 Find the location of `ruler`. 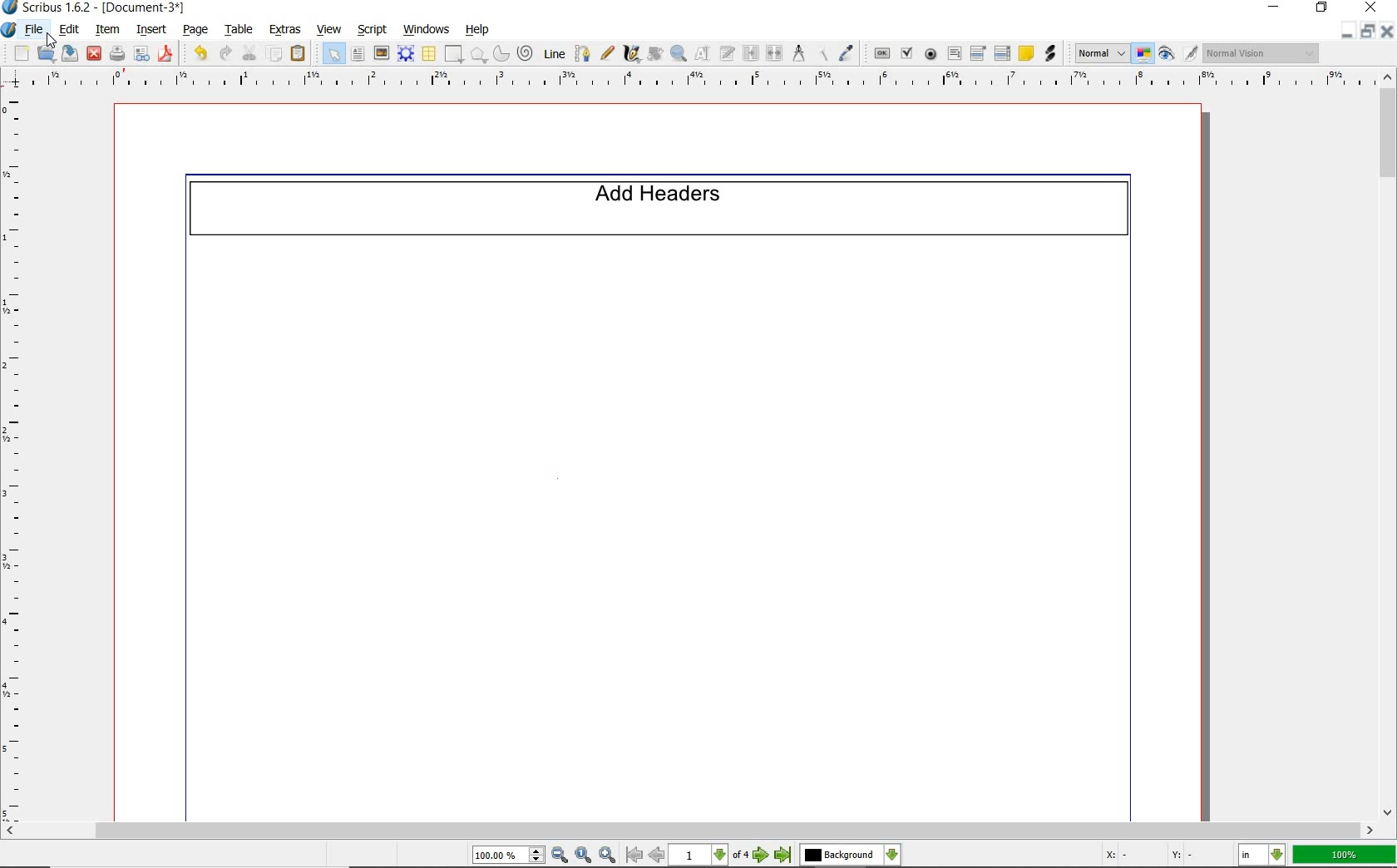

ruler is located at coordinates (19, 460).